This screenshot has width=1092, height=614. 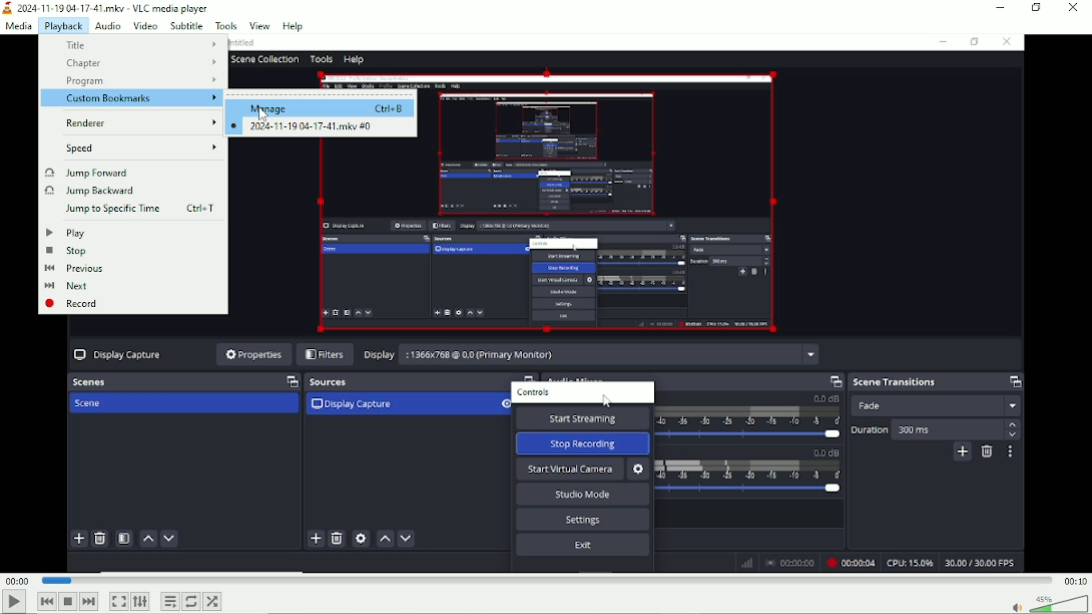 I want to click on Show extended settings, so click(x=140, y=602).